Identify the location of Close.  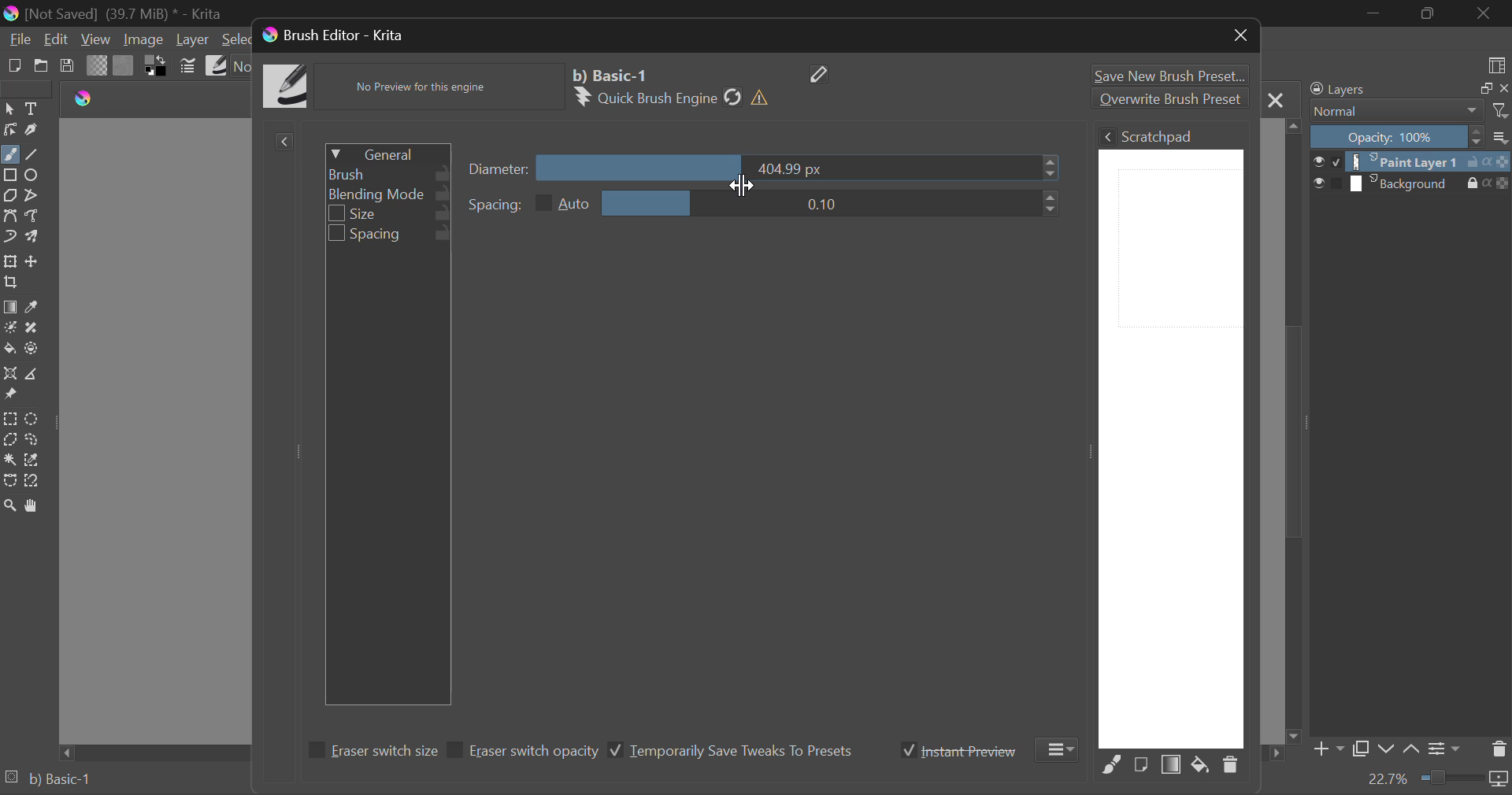
(1241, 38).